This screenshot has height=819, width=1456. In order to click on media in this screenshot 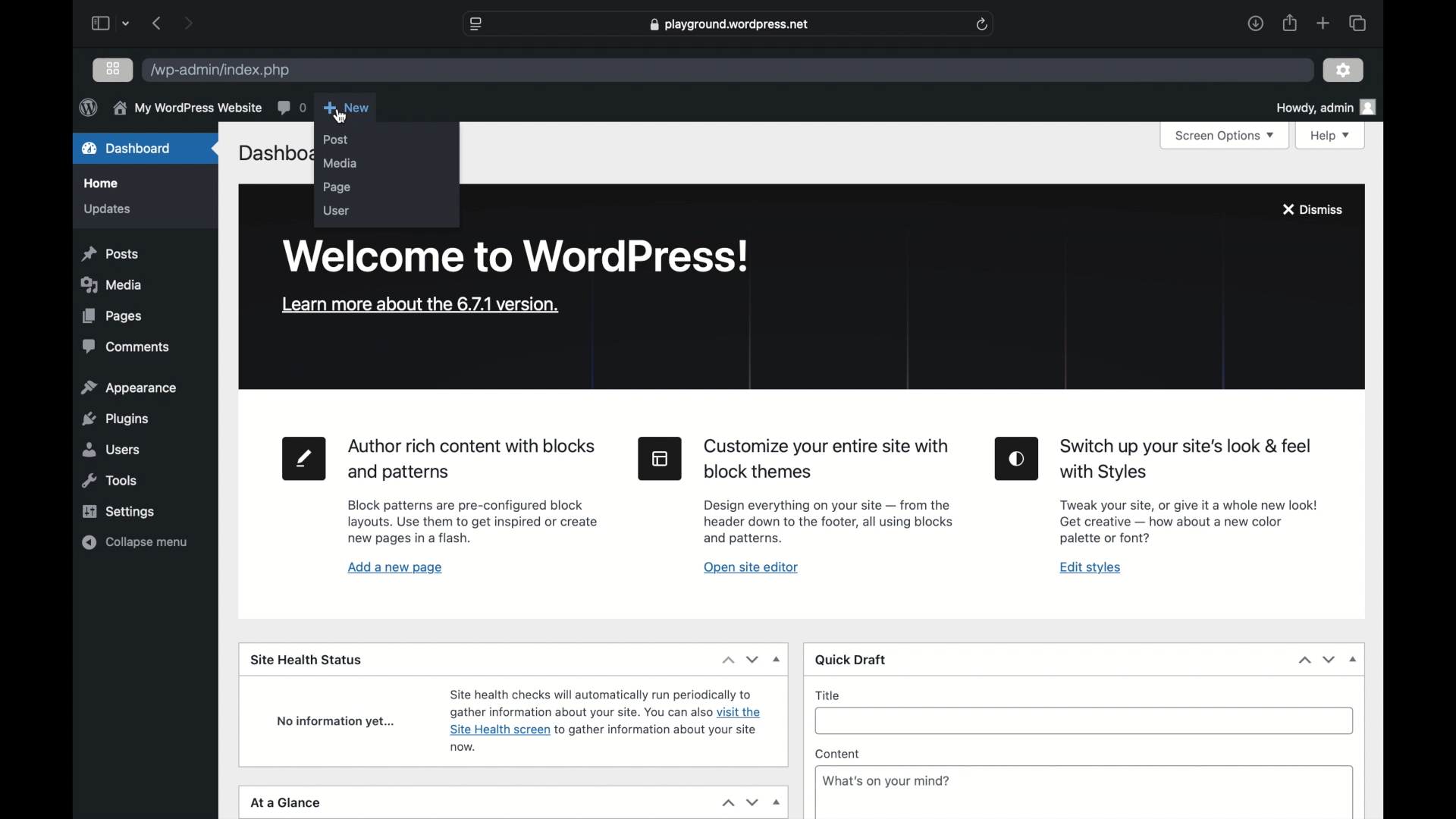, I will do `click(338, 163)`.